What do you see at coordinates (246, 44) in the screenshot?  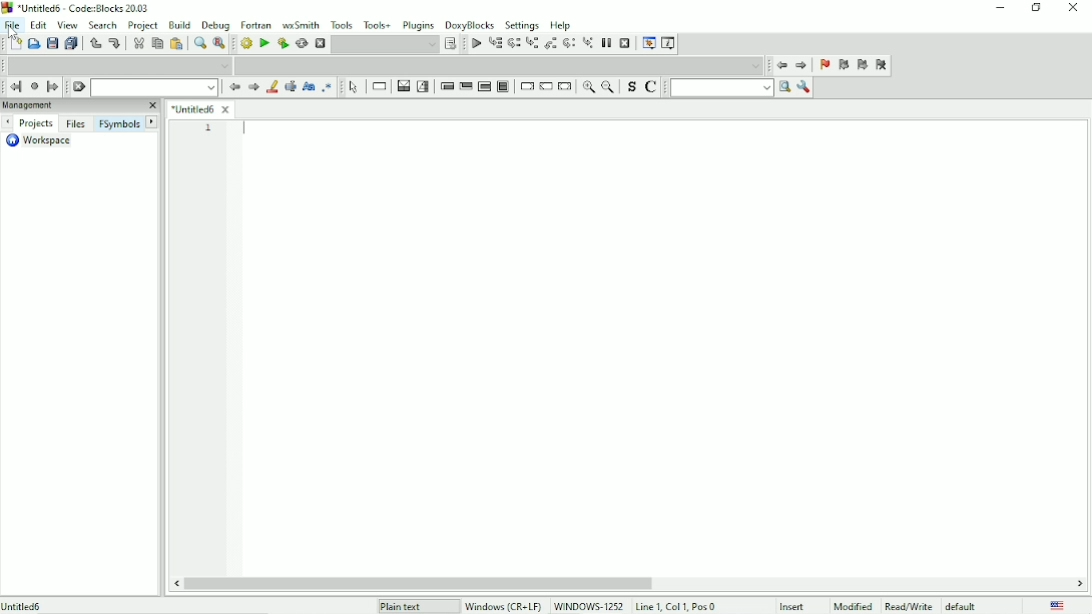 I see `Build` at bounding box center [246, 44].